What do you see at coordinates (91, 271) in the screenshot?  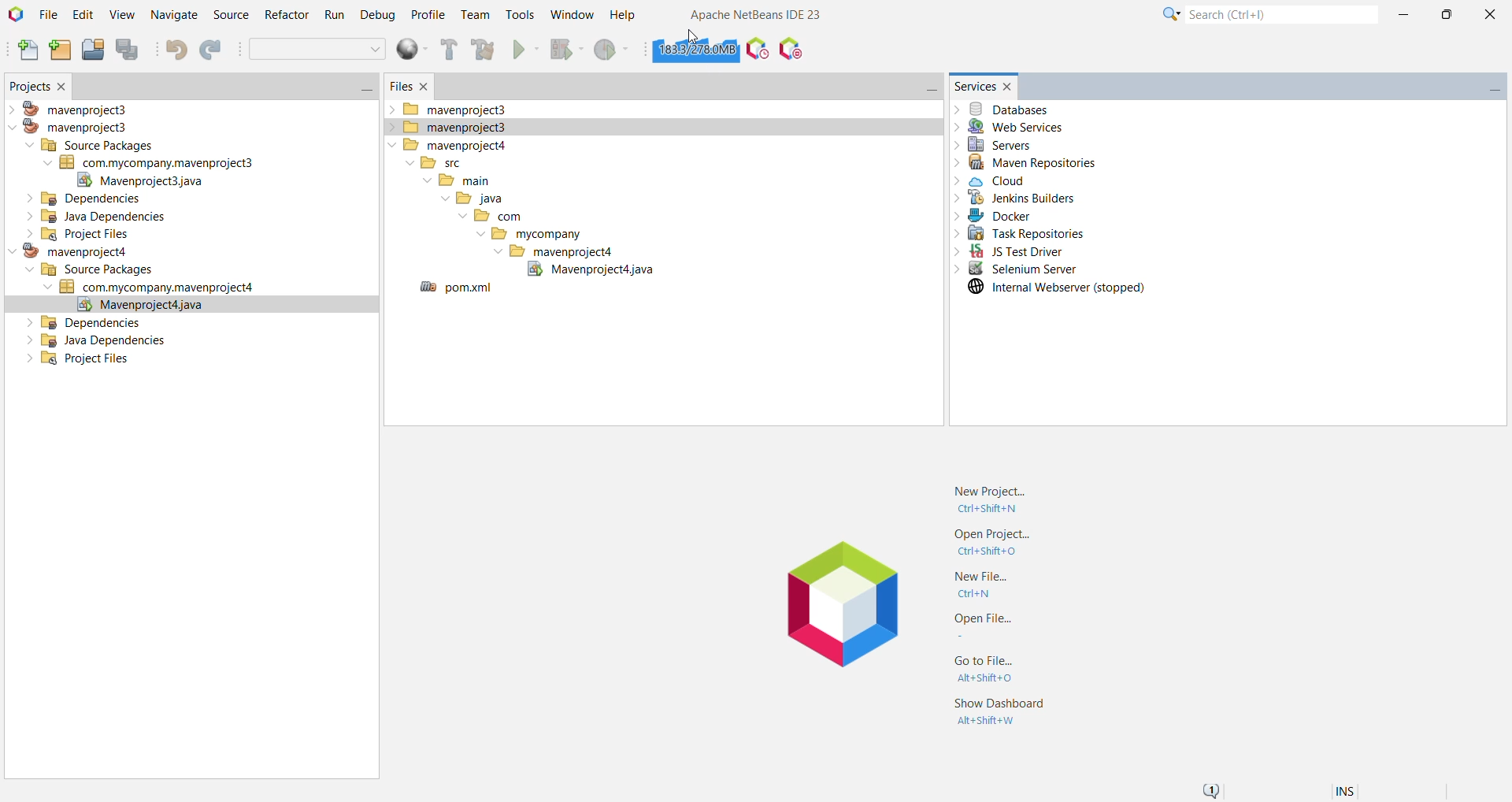 I see `Source Packages` at bounding box center [91, 271].